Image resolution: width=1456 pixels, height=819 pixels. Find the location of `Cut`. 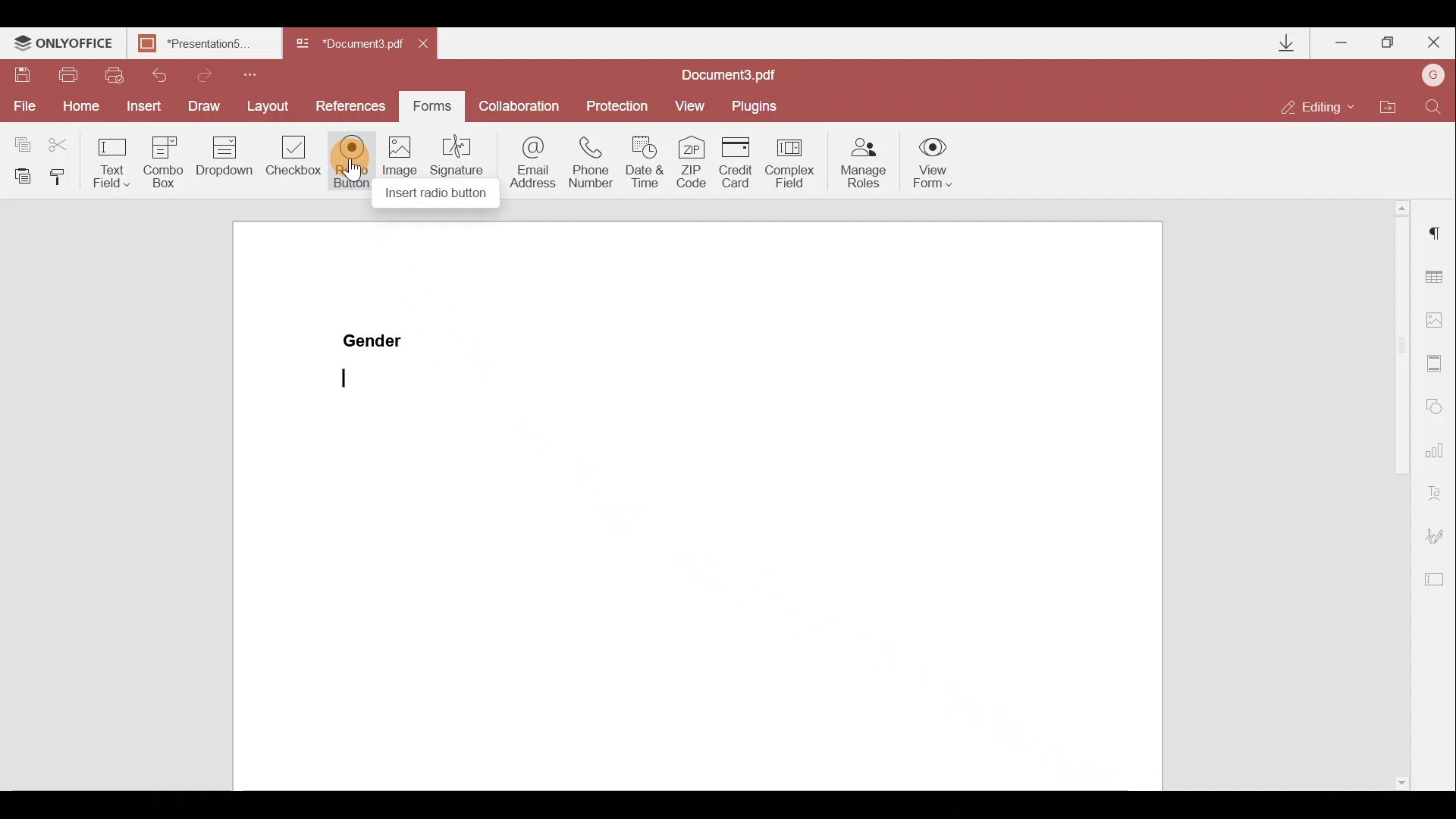

Cut is located at coordinates (58, 142).